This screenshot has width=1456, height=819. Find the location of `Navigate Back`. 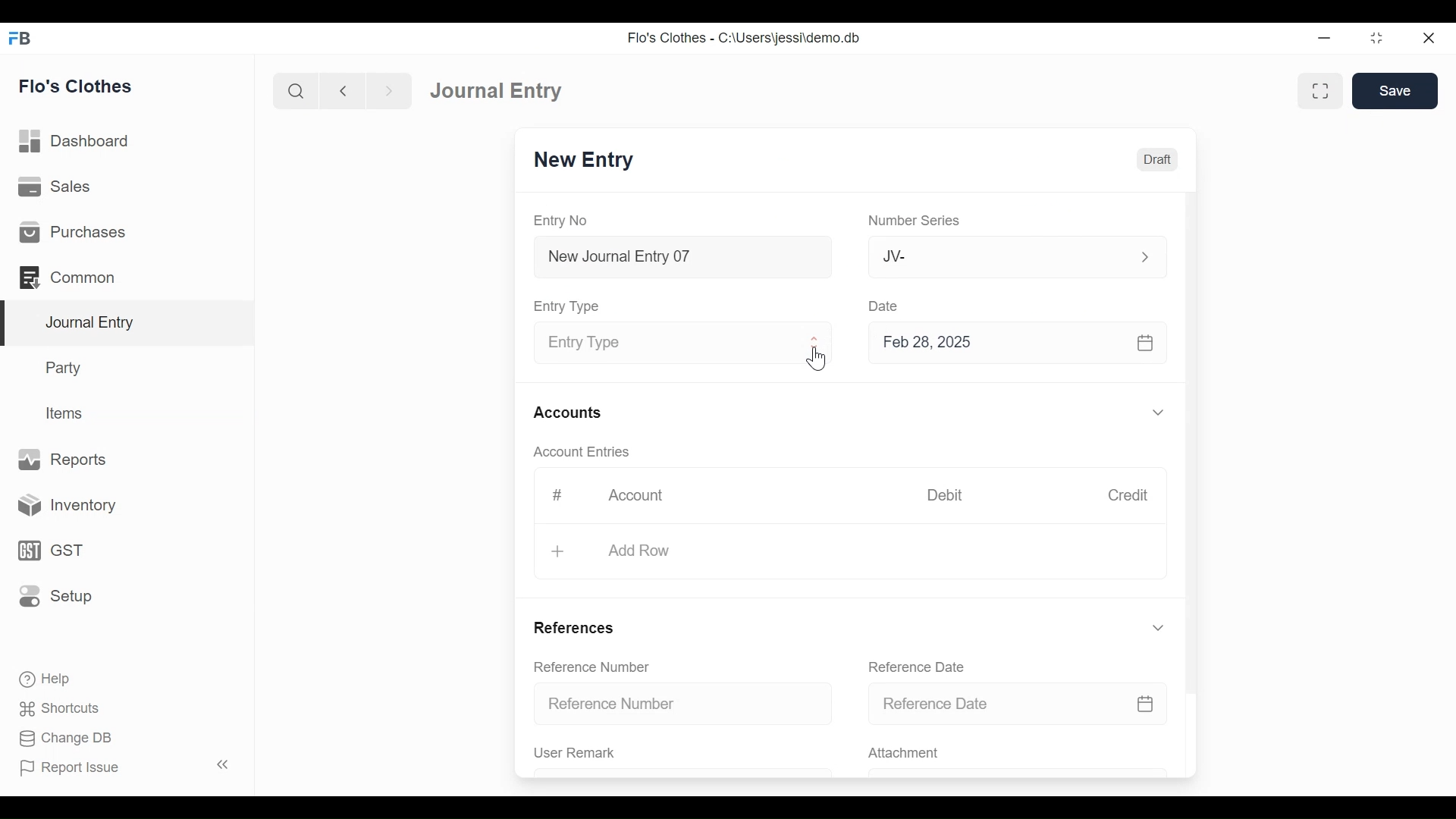

Navigate Back is located at coordinates (342, 91).